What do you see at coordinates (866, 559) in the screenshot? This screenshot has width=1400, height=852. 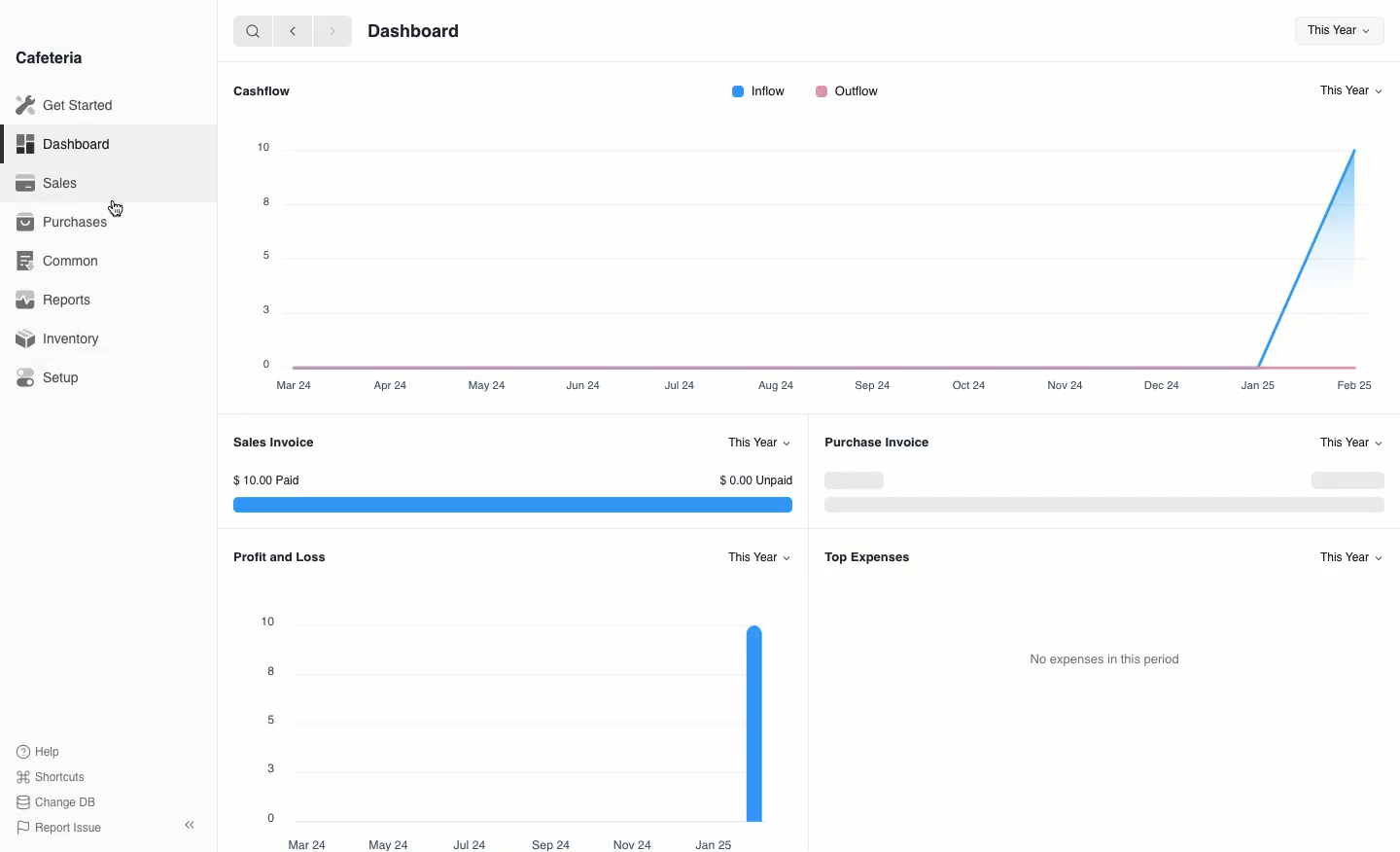 I see `Top Expenses` at bounding box center [866, 559].